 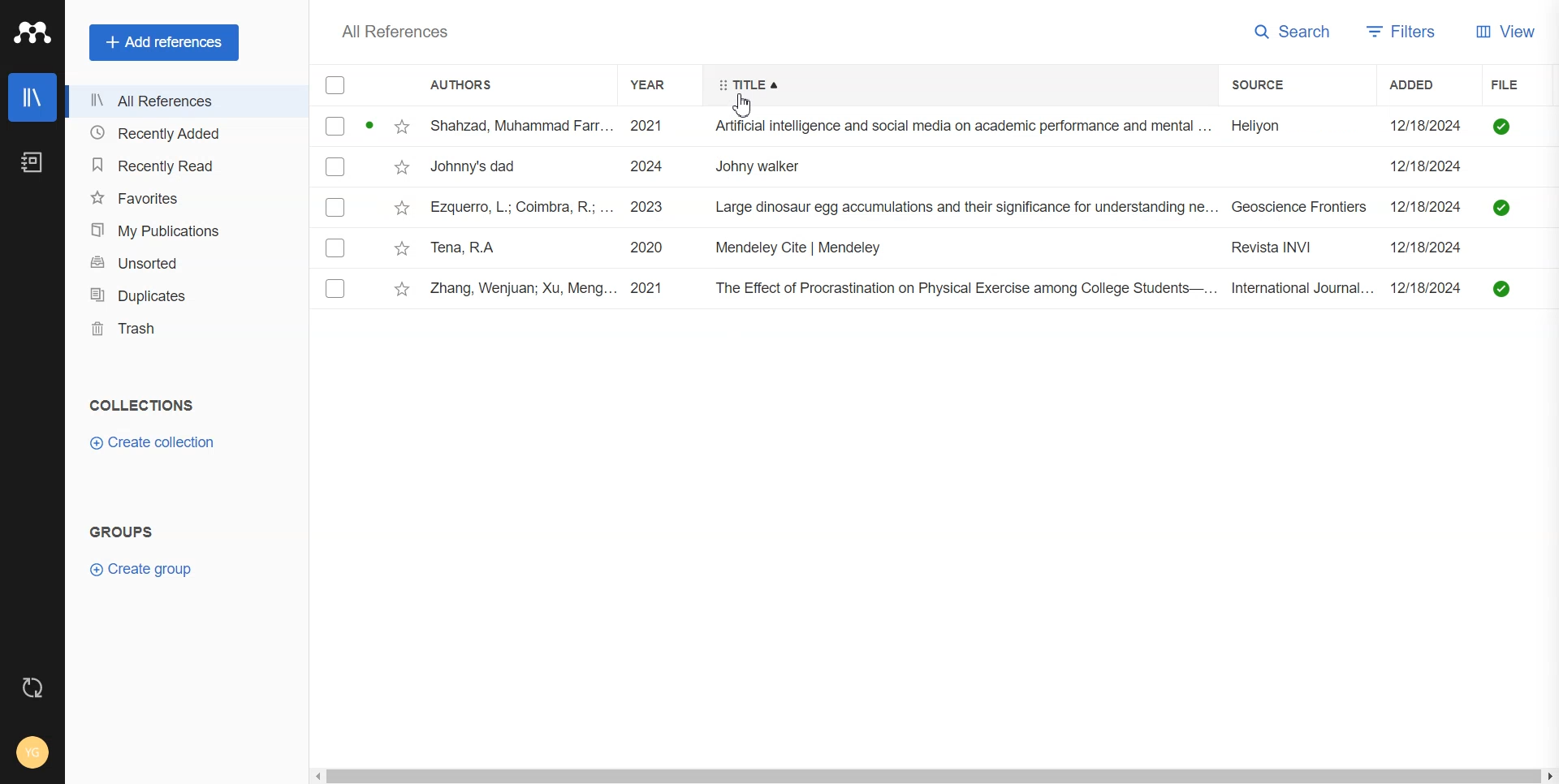 What do you see at coordinates (472, 85) in the screenshot?
I see `Authors` at bounding box center [472, 85].